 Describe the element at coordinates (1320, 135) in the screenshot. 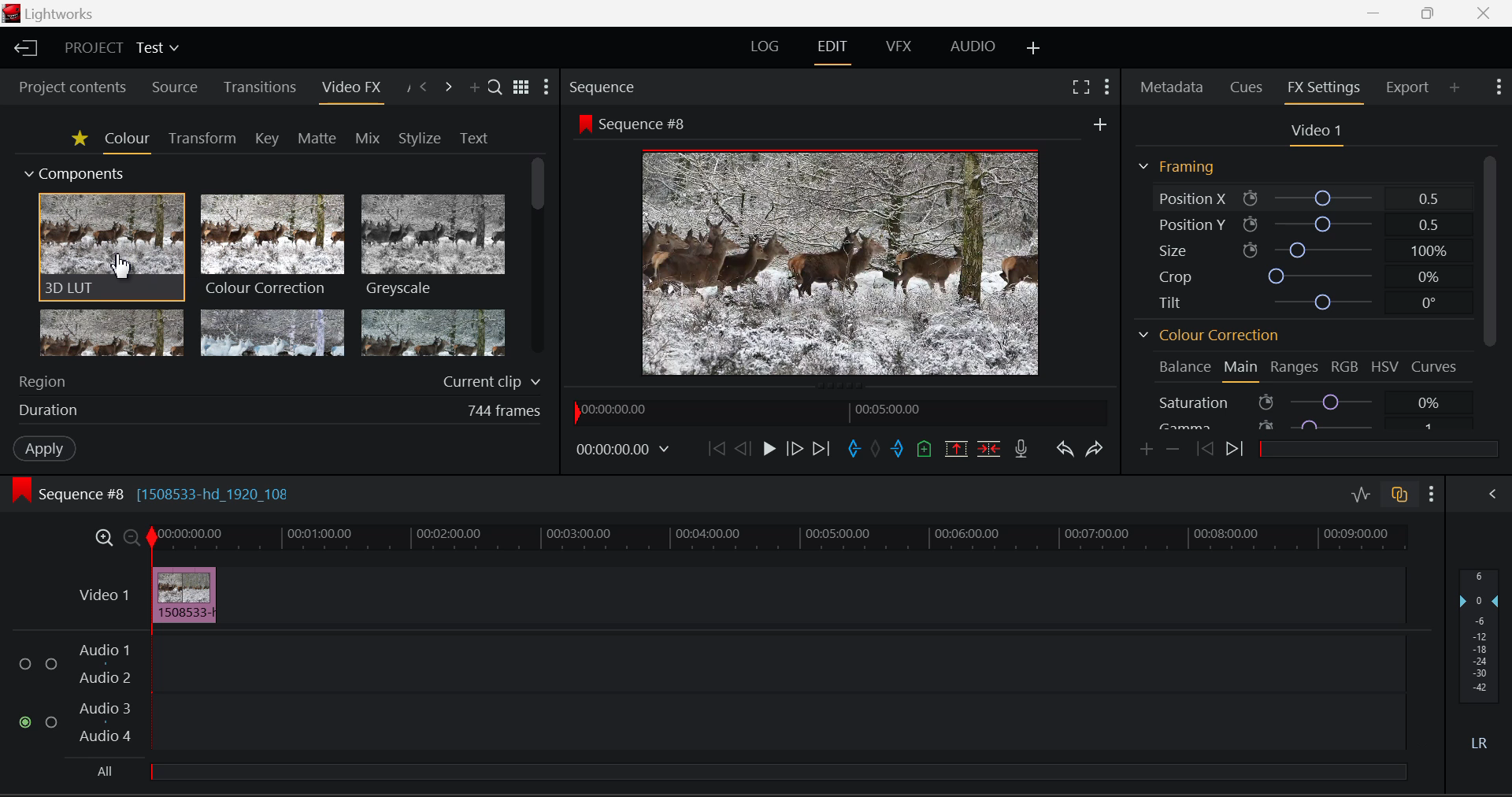

I see `Video Settings` at that location.